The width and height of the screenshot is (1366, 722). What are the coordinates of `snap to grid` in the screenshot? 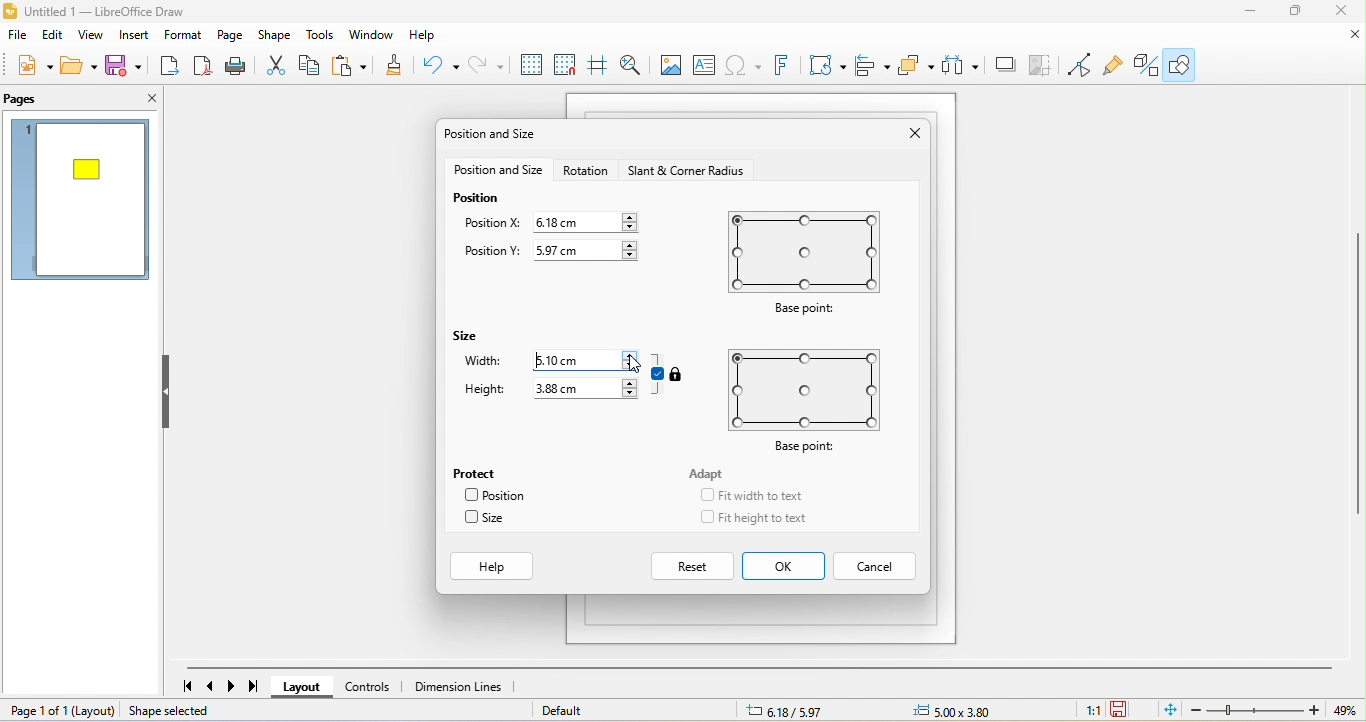 It's located at (568, 65).